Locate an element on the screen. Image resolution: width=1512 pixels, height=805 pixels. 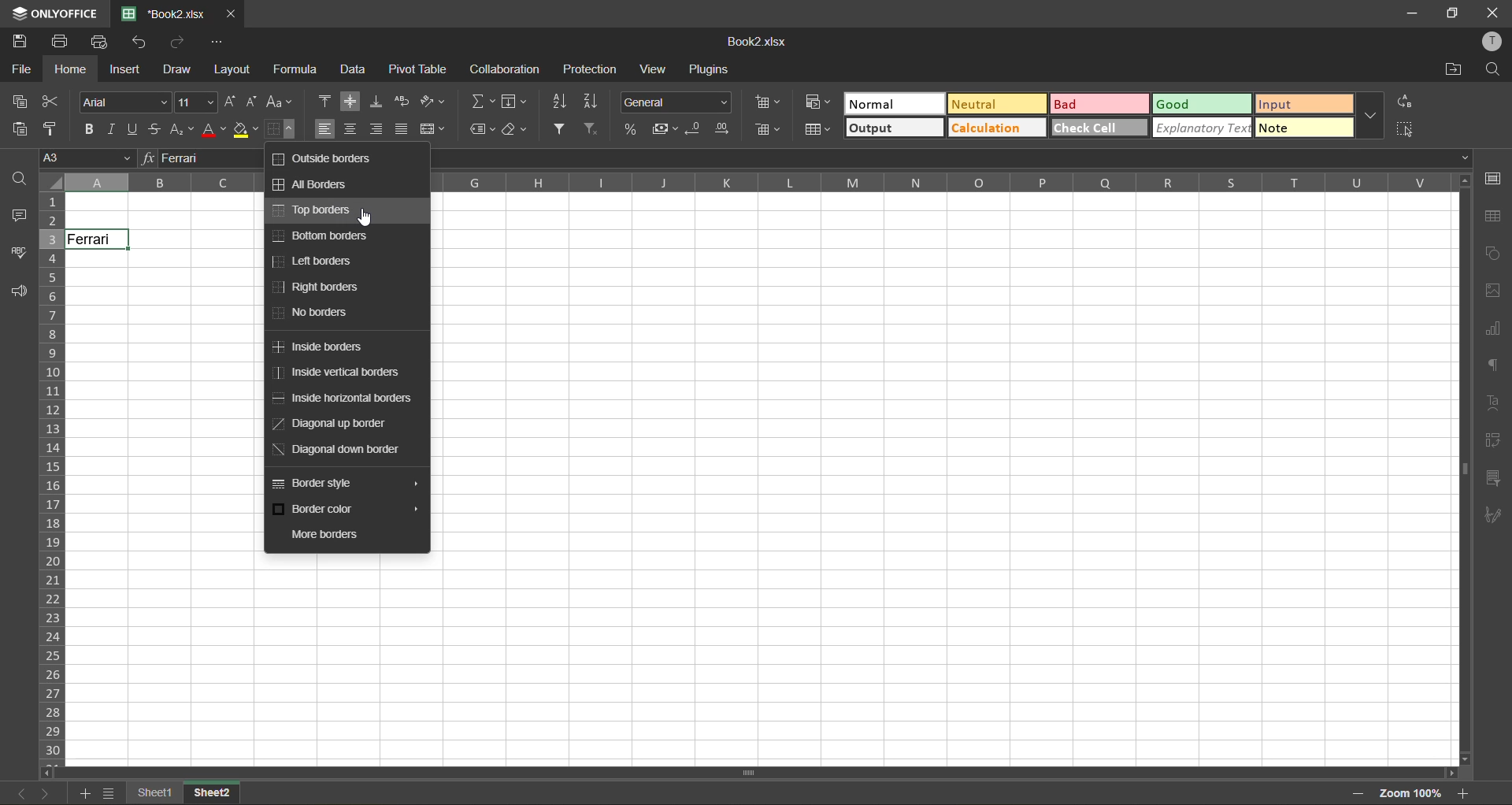
font color is located at coordinates (213, 128).